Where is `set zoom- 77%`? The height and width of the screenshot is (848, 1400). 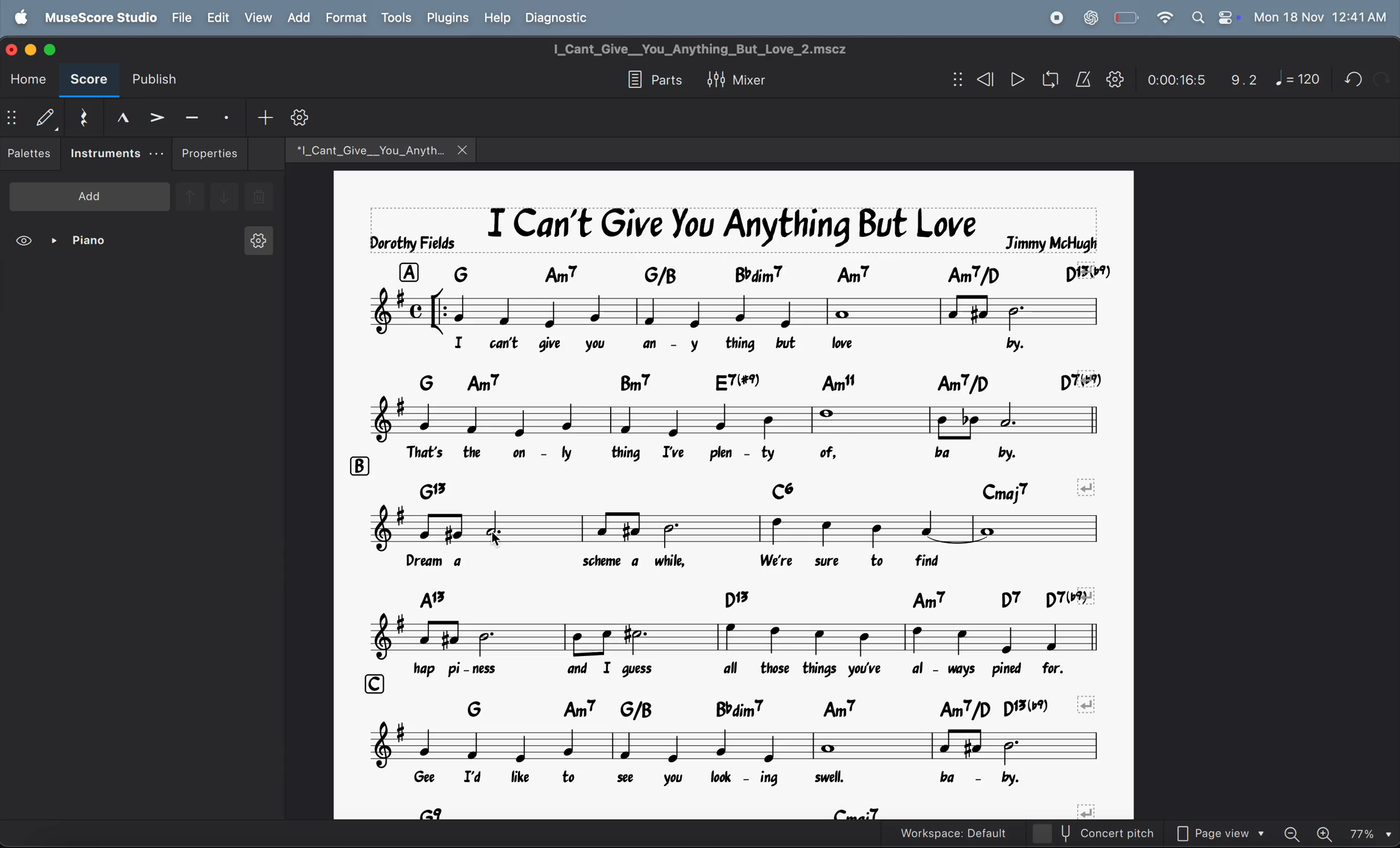 set zoom- 77% is located at coordinates (1372, 833).